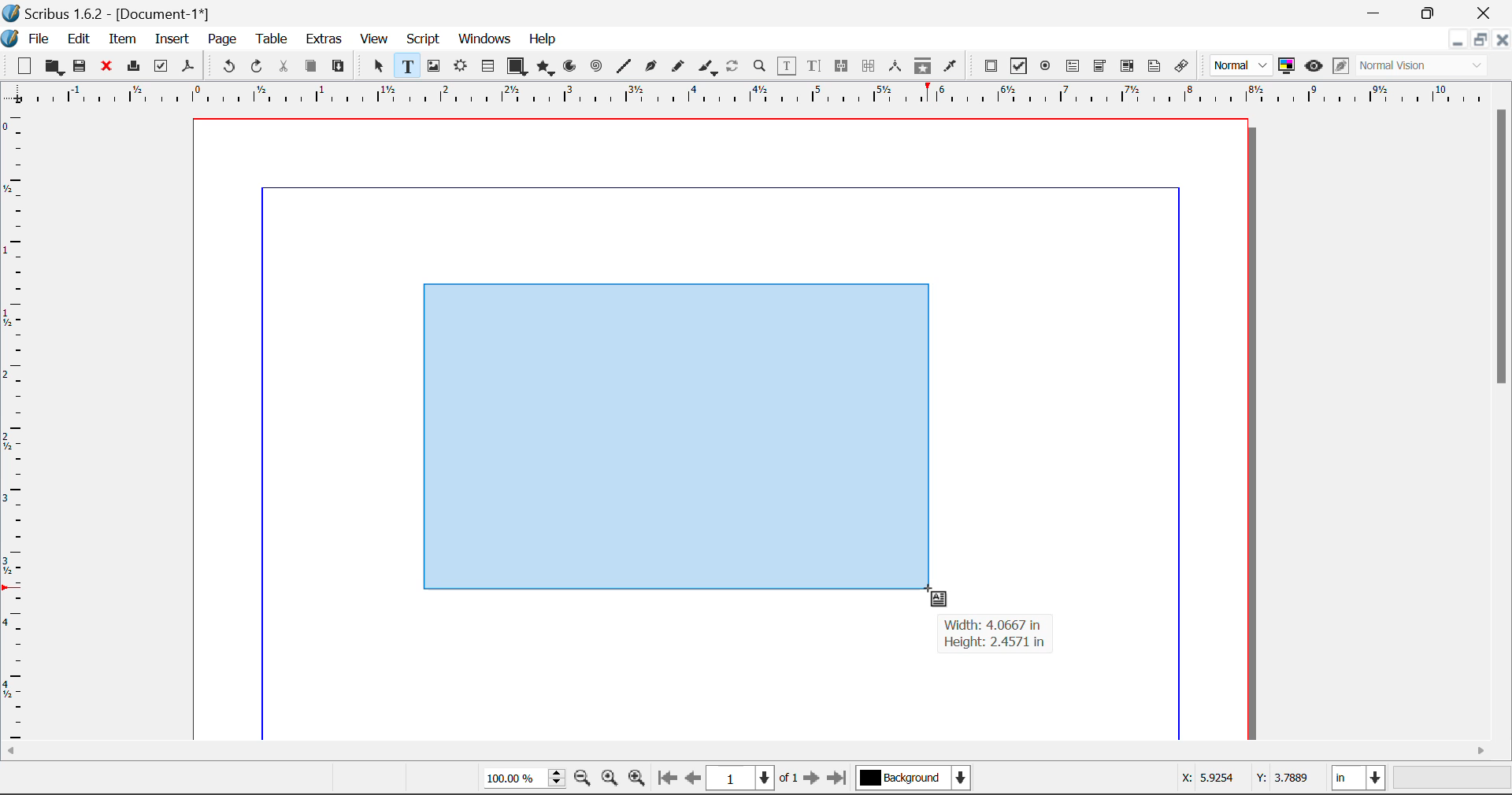 The height and width of the screenshot is (795, 1512). Describe the element at coordinates (571, 68) in the screenshot. I see `Arc` at that location.